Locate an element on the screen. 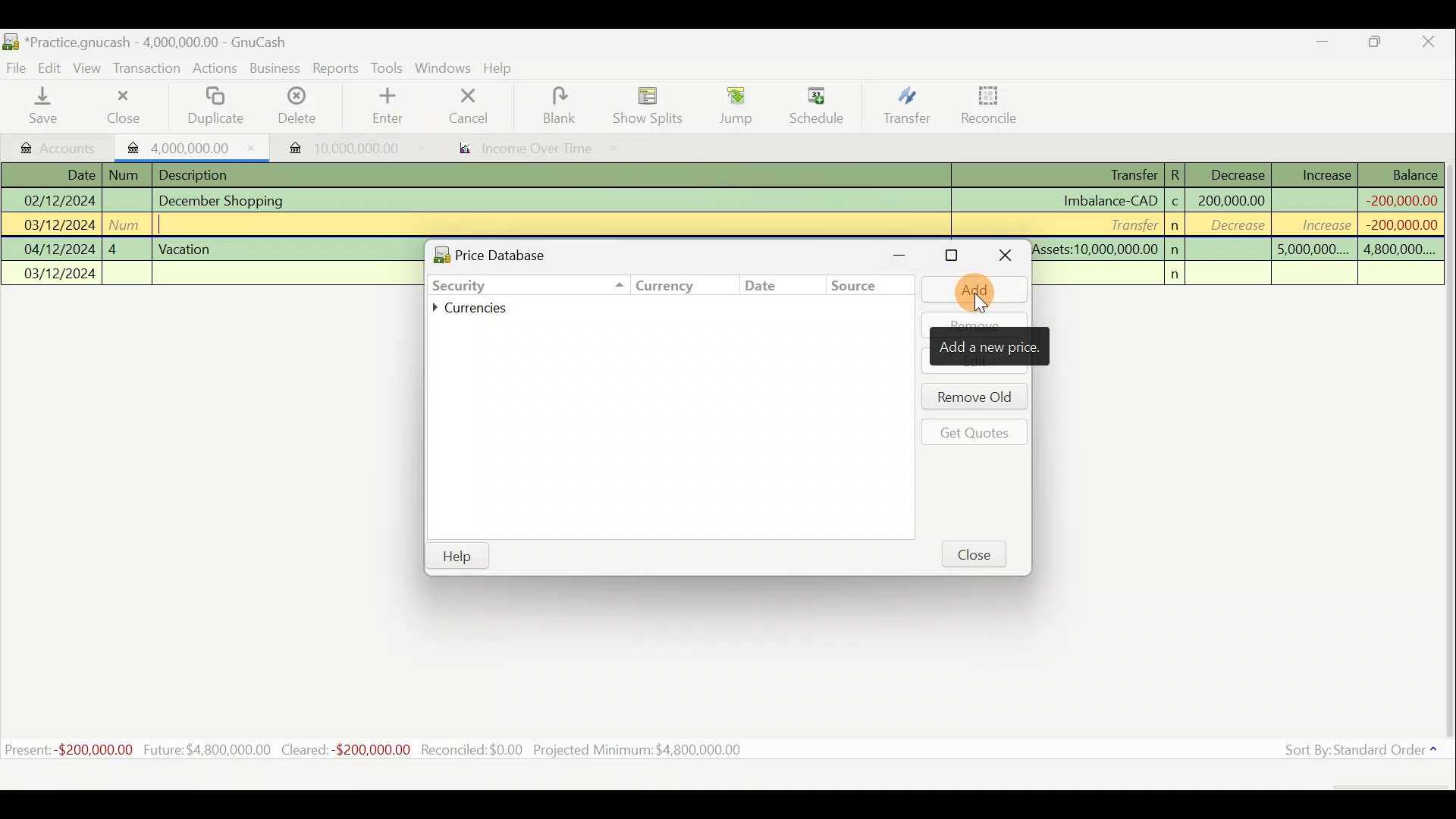 The height and width of the screenshot is (819, 1456). edit is located at coordinates (977, 369).